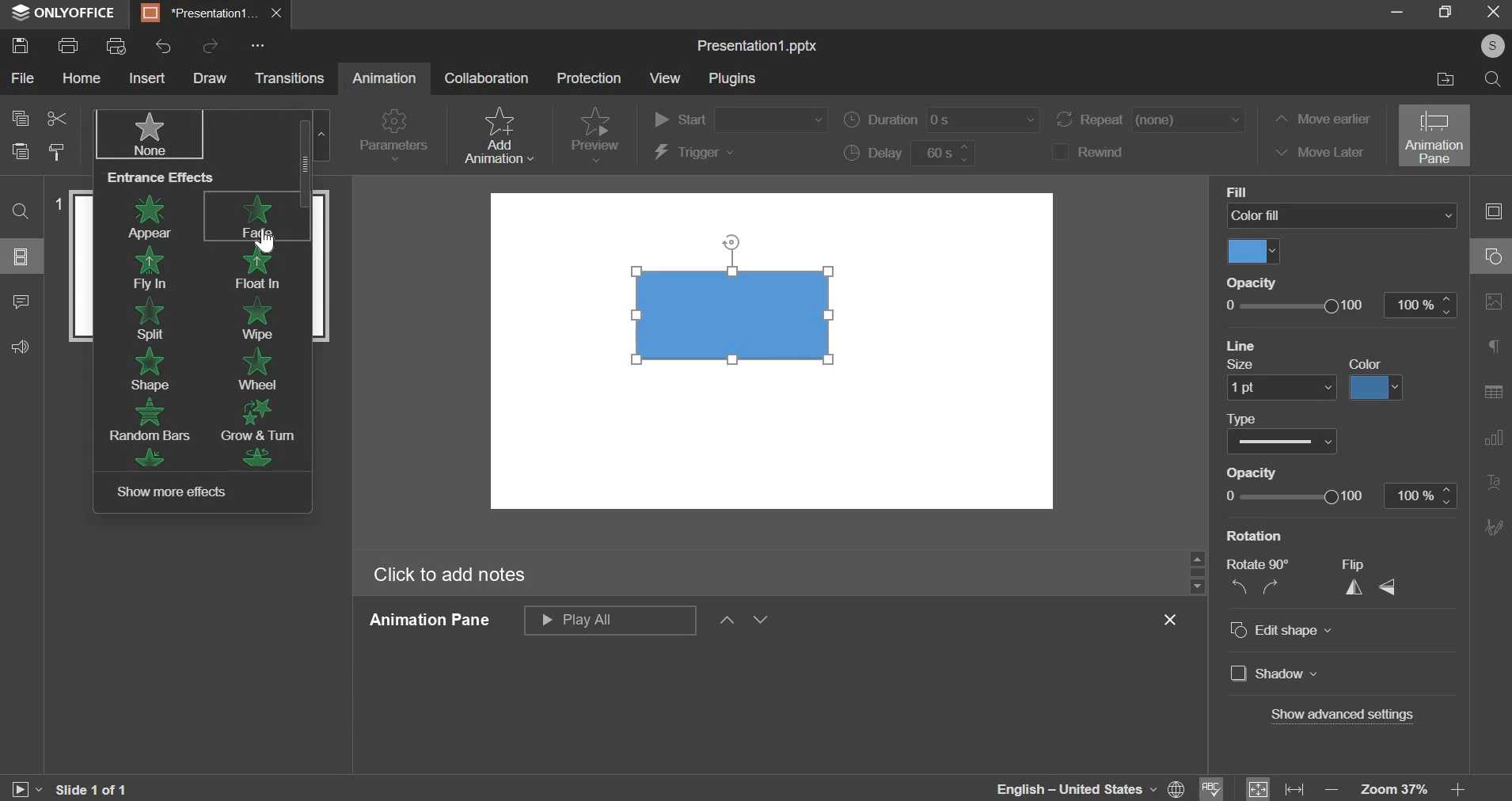 This screenshot has height=801, width=1512. Describe the element at coordinates (210, 47) in the screenshot. I see `redo` at that location.